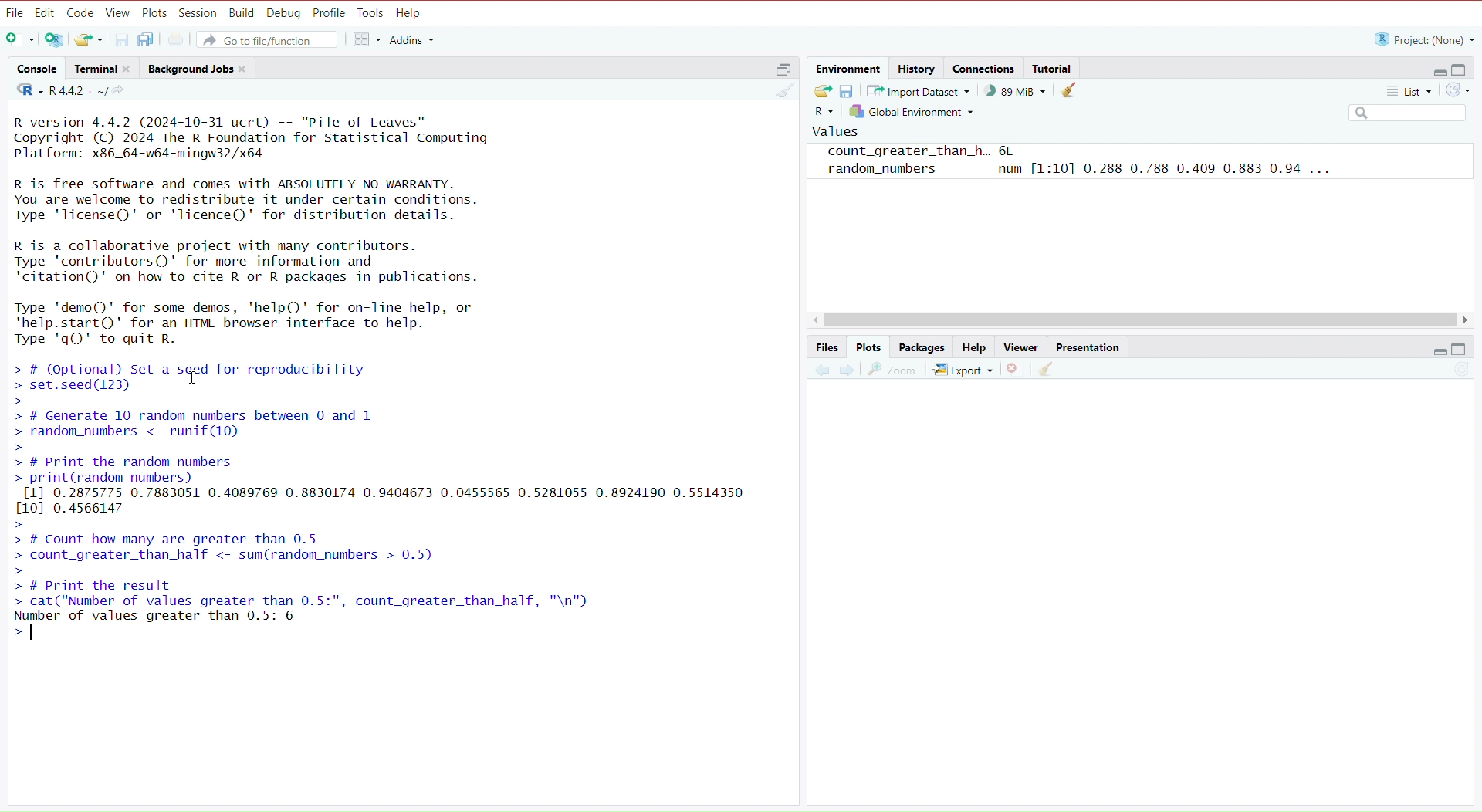 This screenshot has height=812, width=1482. I want to click on Clear, so click(1046, 369).